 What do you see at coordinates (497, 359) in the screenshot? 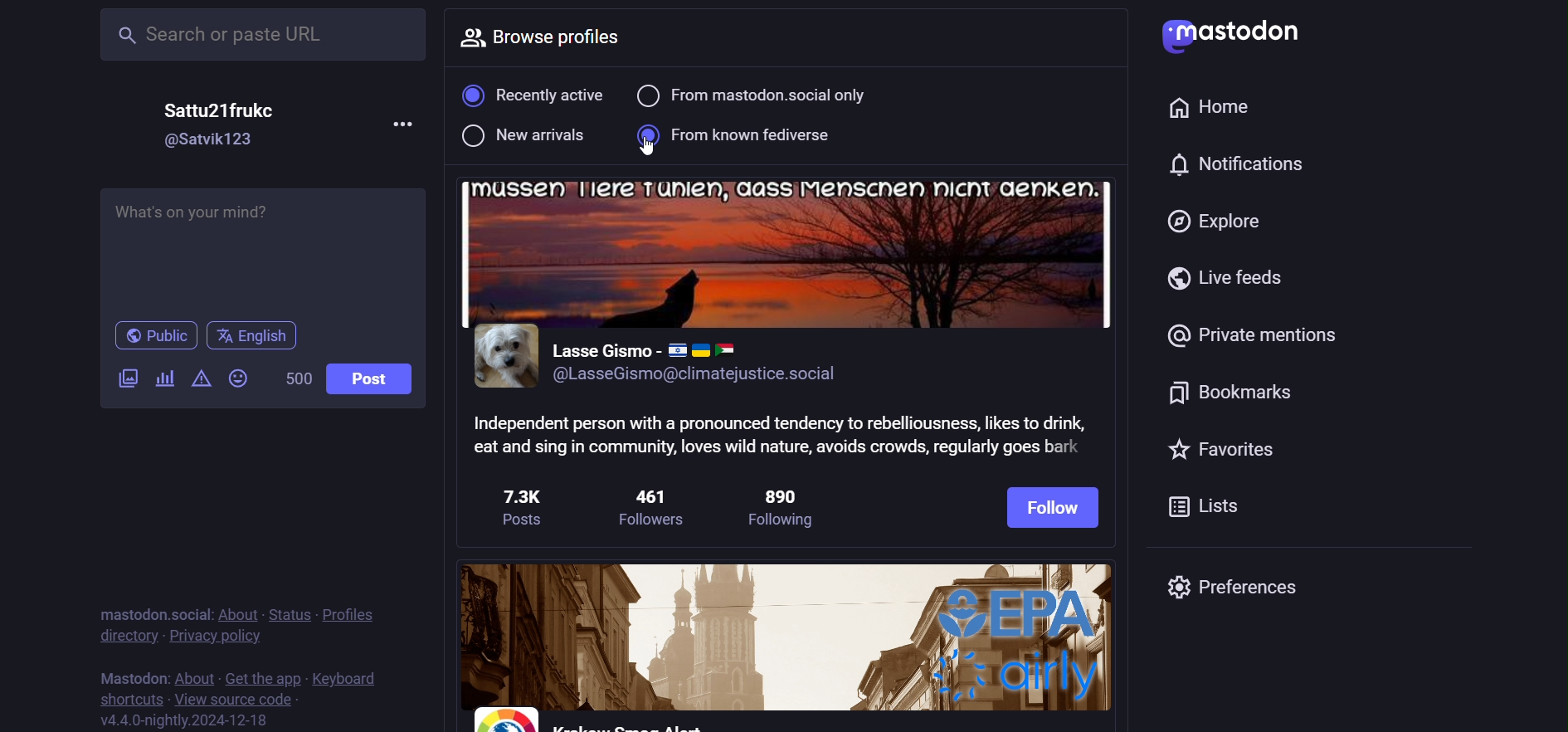
I see `profile picture` at bounding box center [497, 359].